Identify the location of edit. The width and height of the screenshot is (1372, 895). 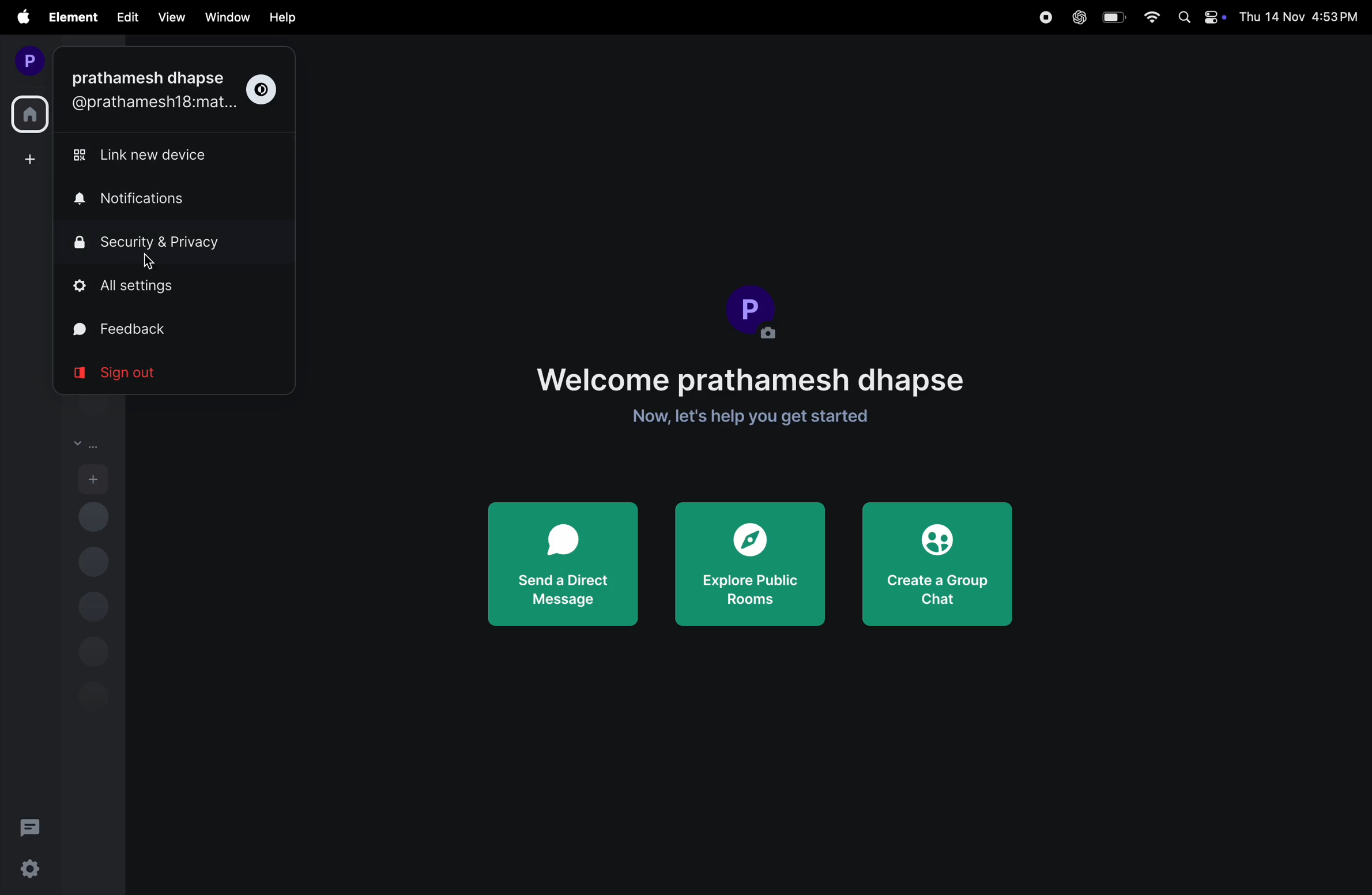
(124, 19).